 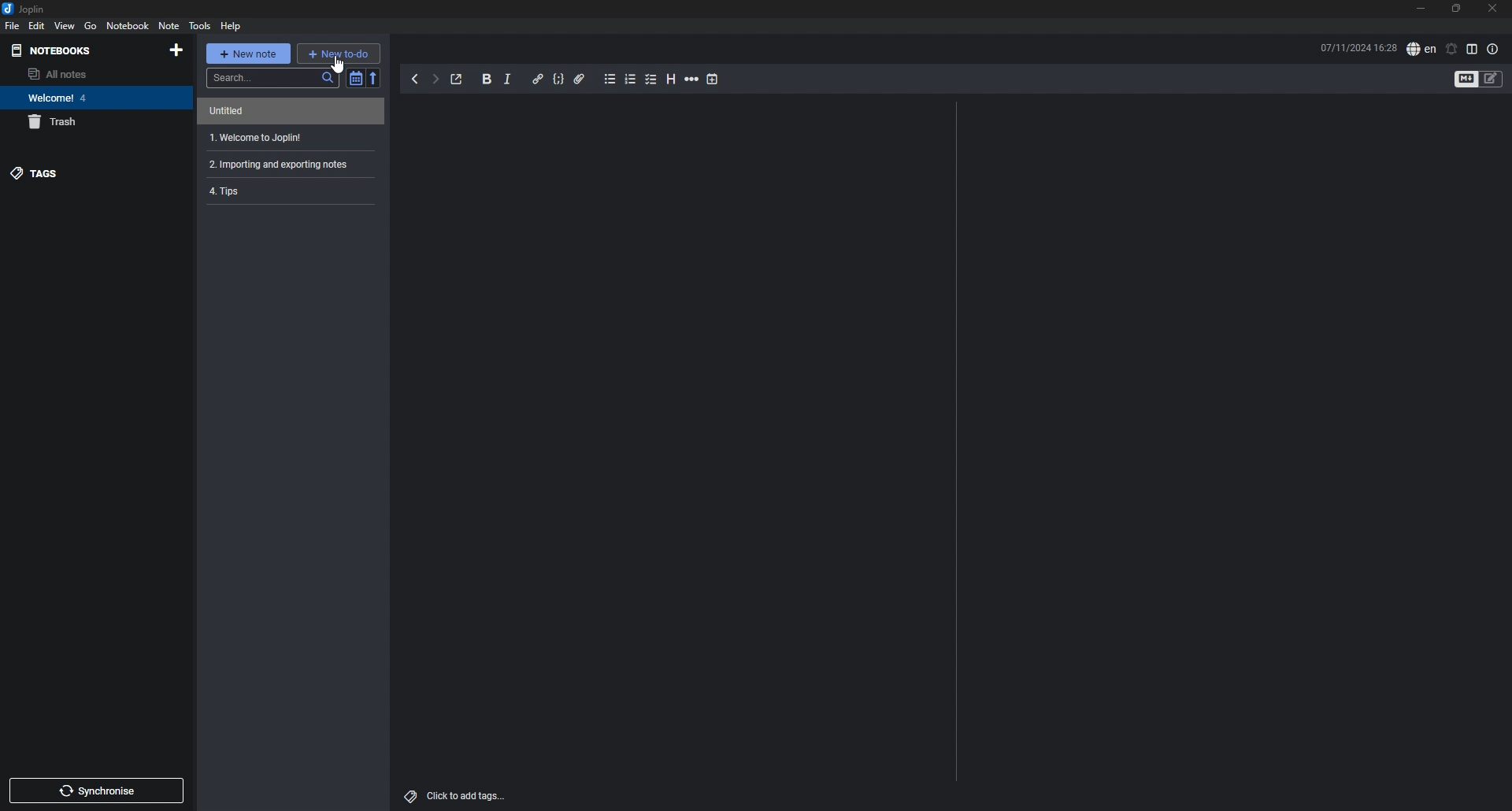 I want to click on minimize, so click(x=1419, y=8).